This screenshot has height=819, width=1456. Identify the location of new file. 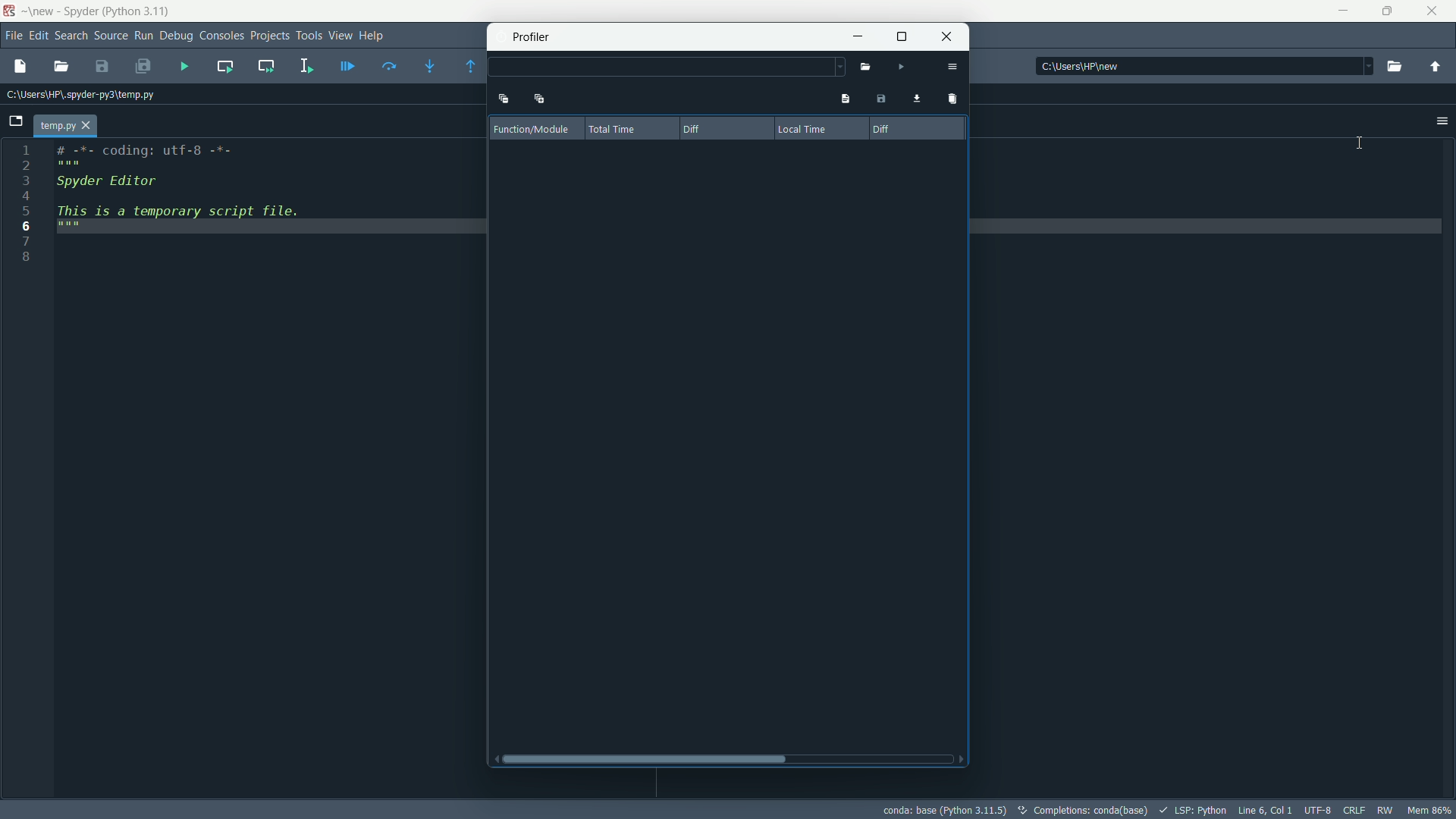
(20, 66).